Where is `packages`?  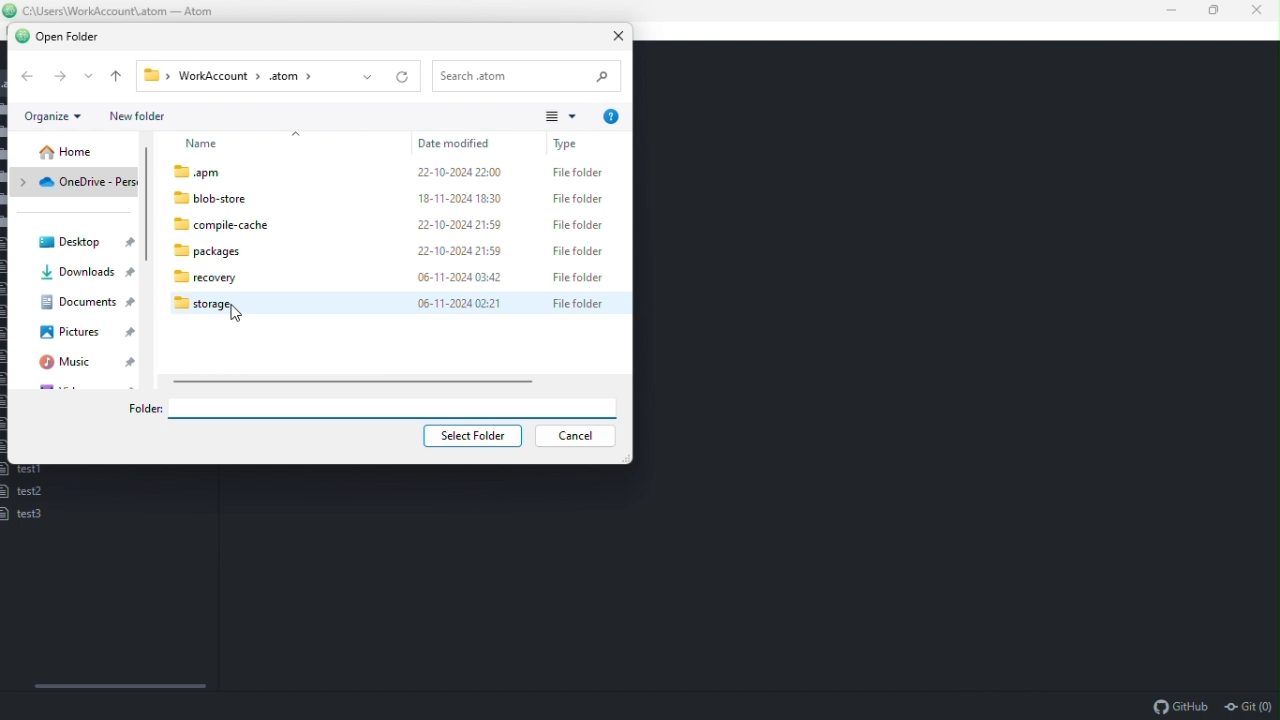 packages is located at coordinates (395, 253).